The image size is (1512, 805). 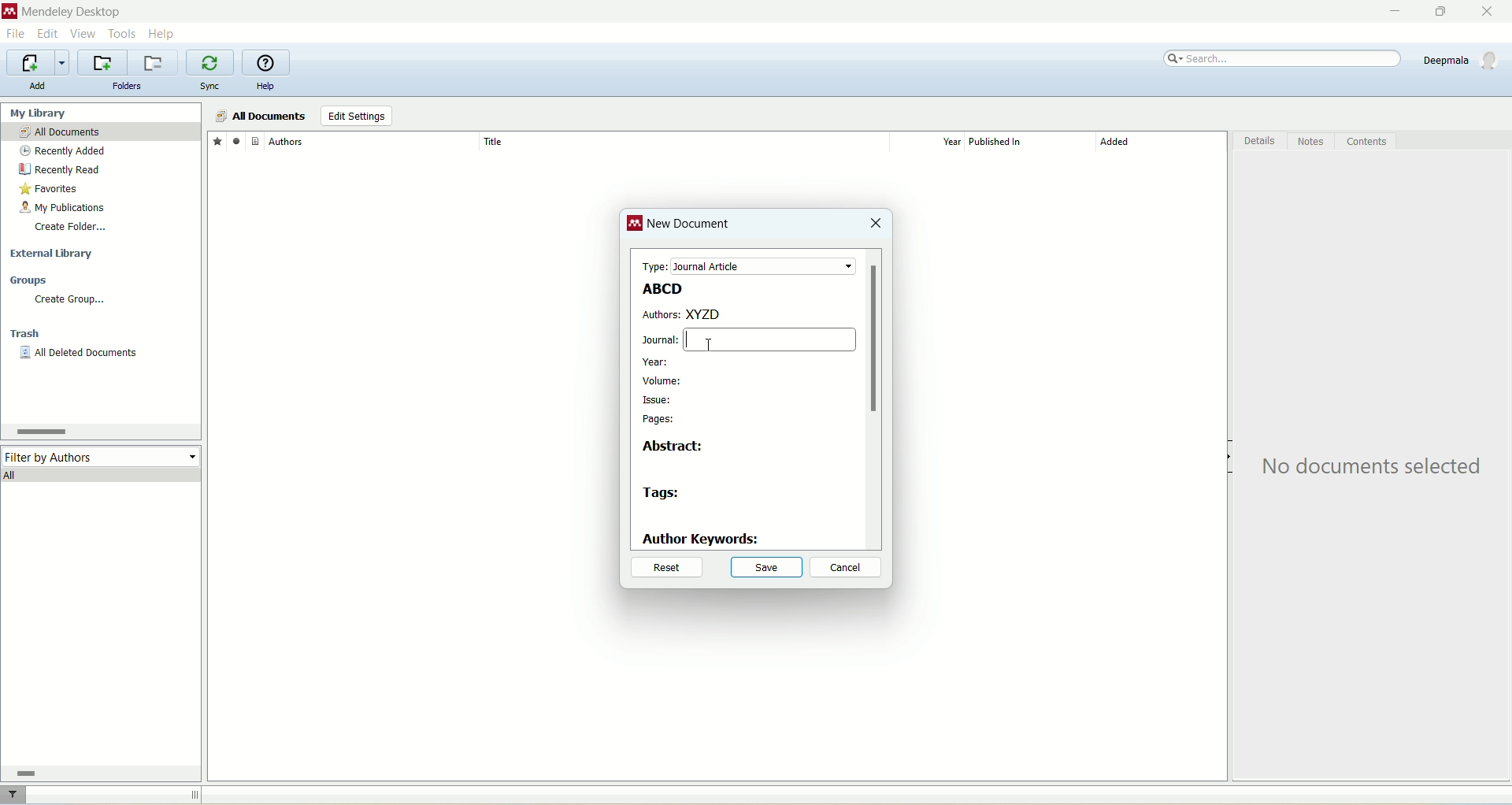 I want to click on pages, so click(x=661, y=420).